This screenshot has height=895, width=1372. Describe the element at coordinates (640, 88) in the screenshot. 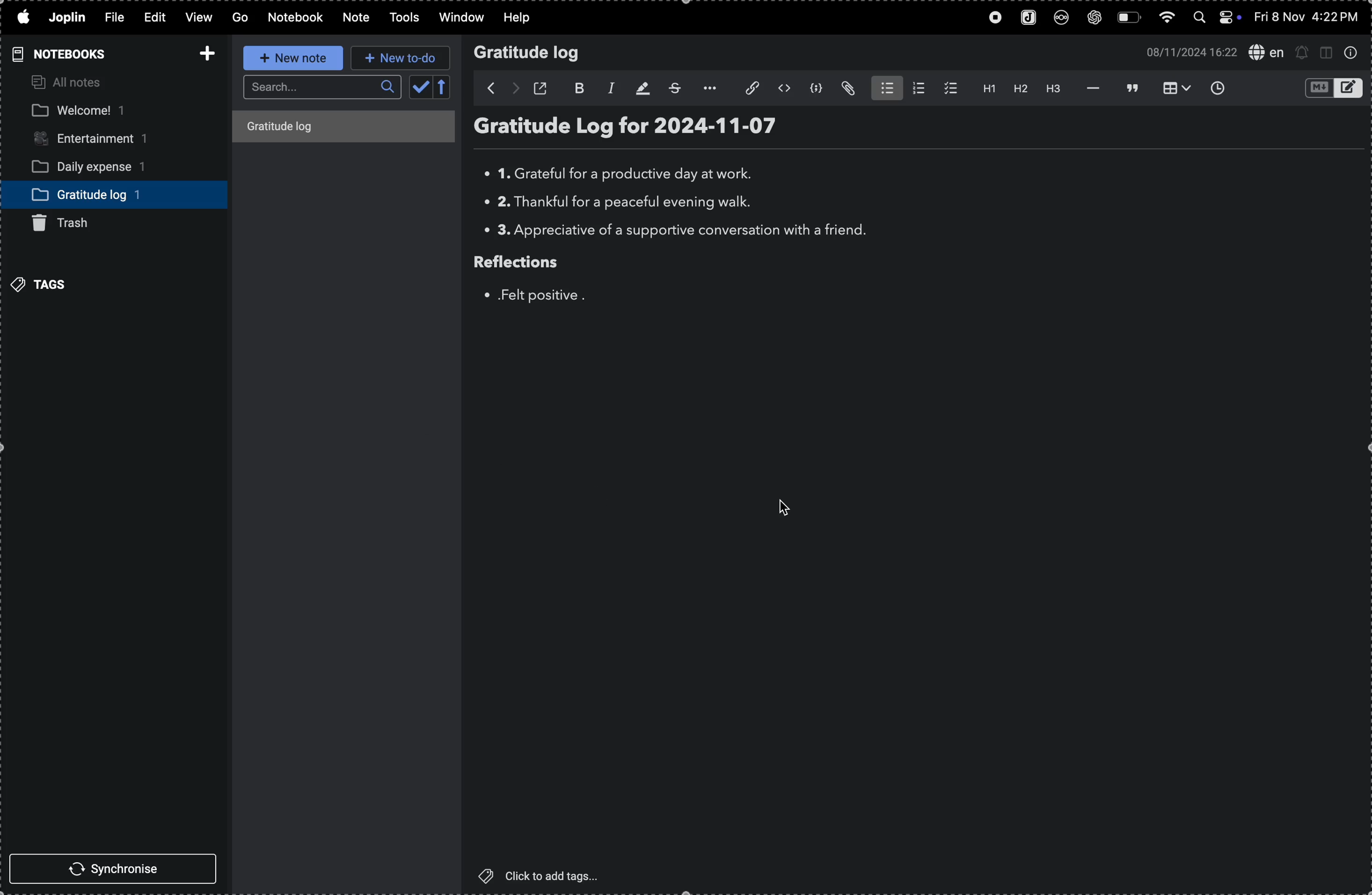

I see `highlight` at that location.